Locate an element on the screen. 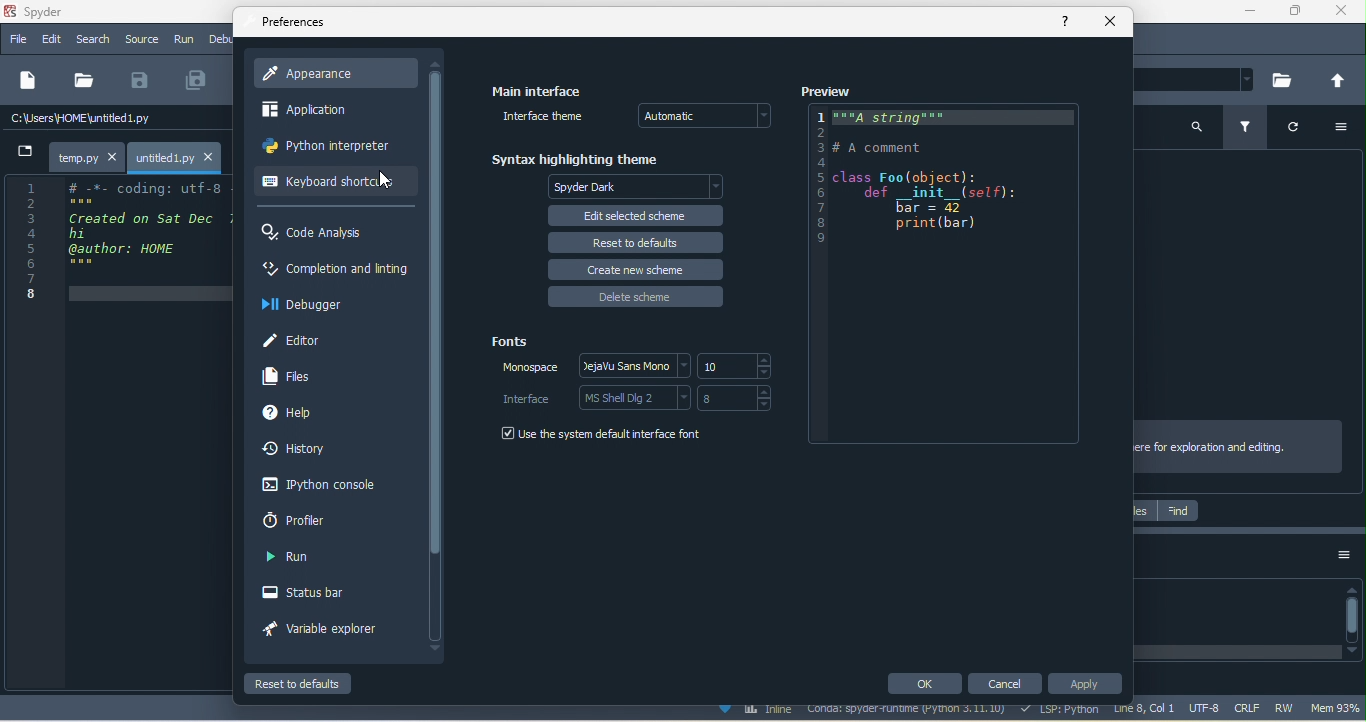  debugger is located at coordinates (310, 305).